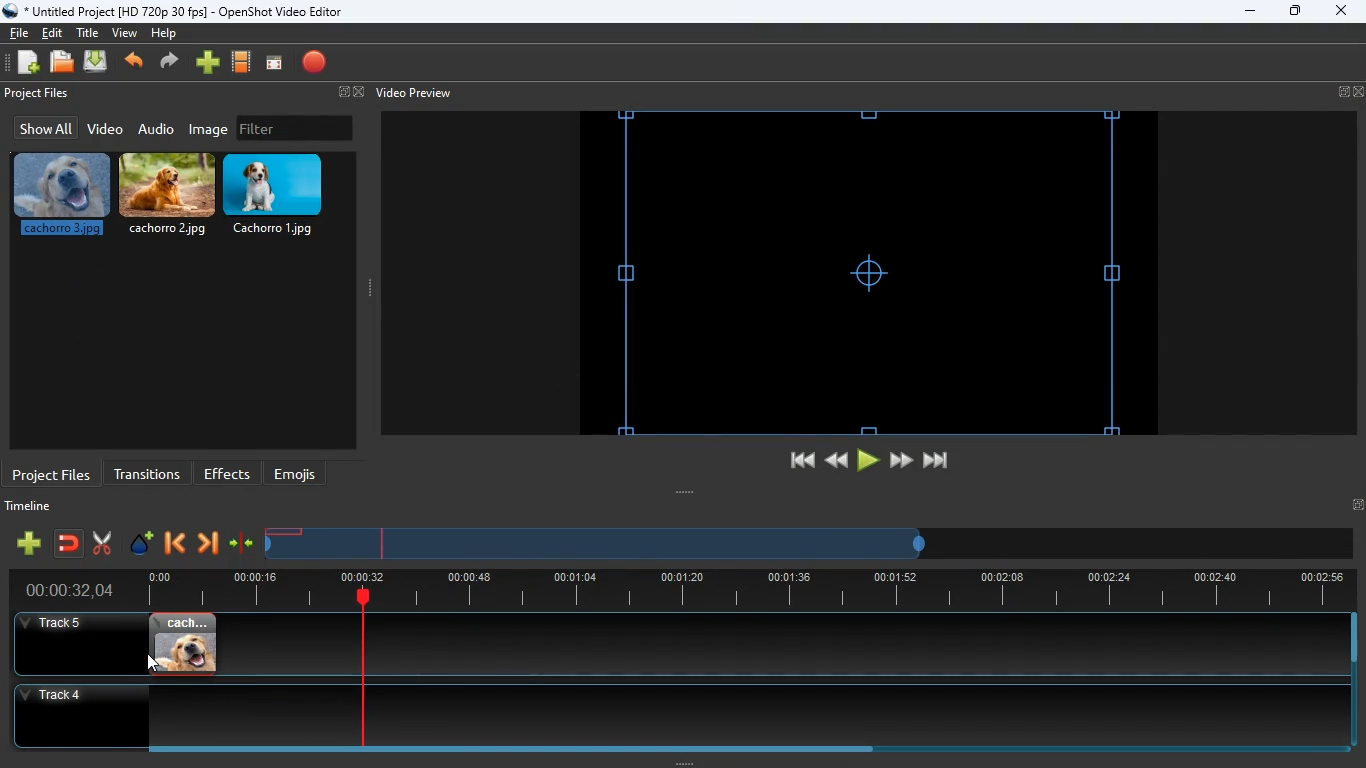 This screenshot has width=1366, height=768. What do you see at coordinates (938, 464) in the screenshot?
I see `end` at bounding box center [938, 464].